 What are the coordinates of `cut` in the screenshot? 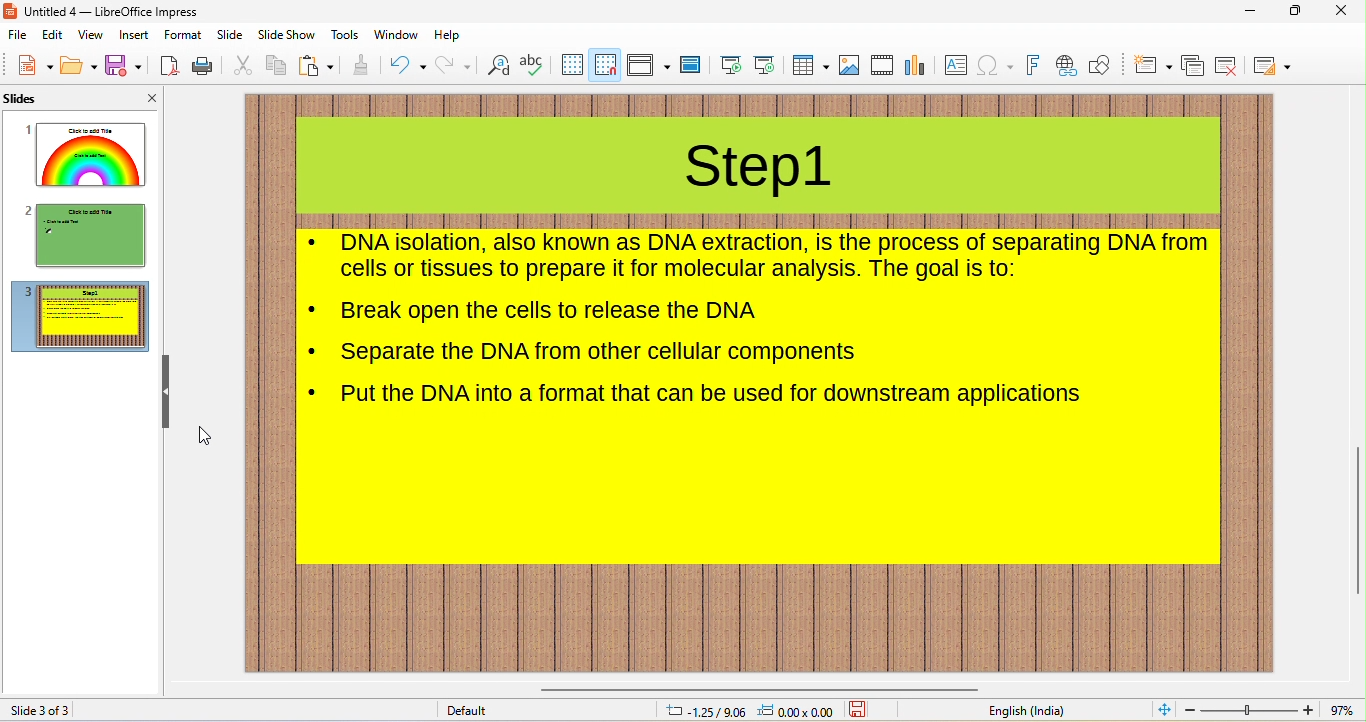 It's located at (240, 65).